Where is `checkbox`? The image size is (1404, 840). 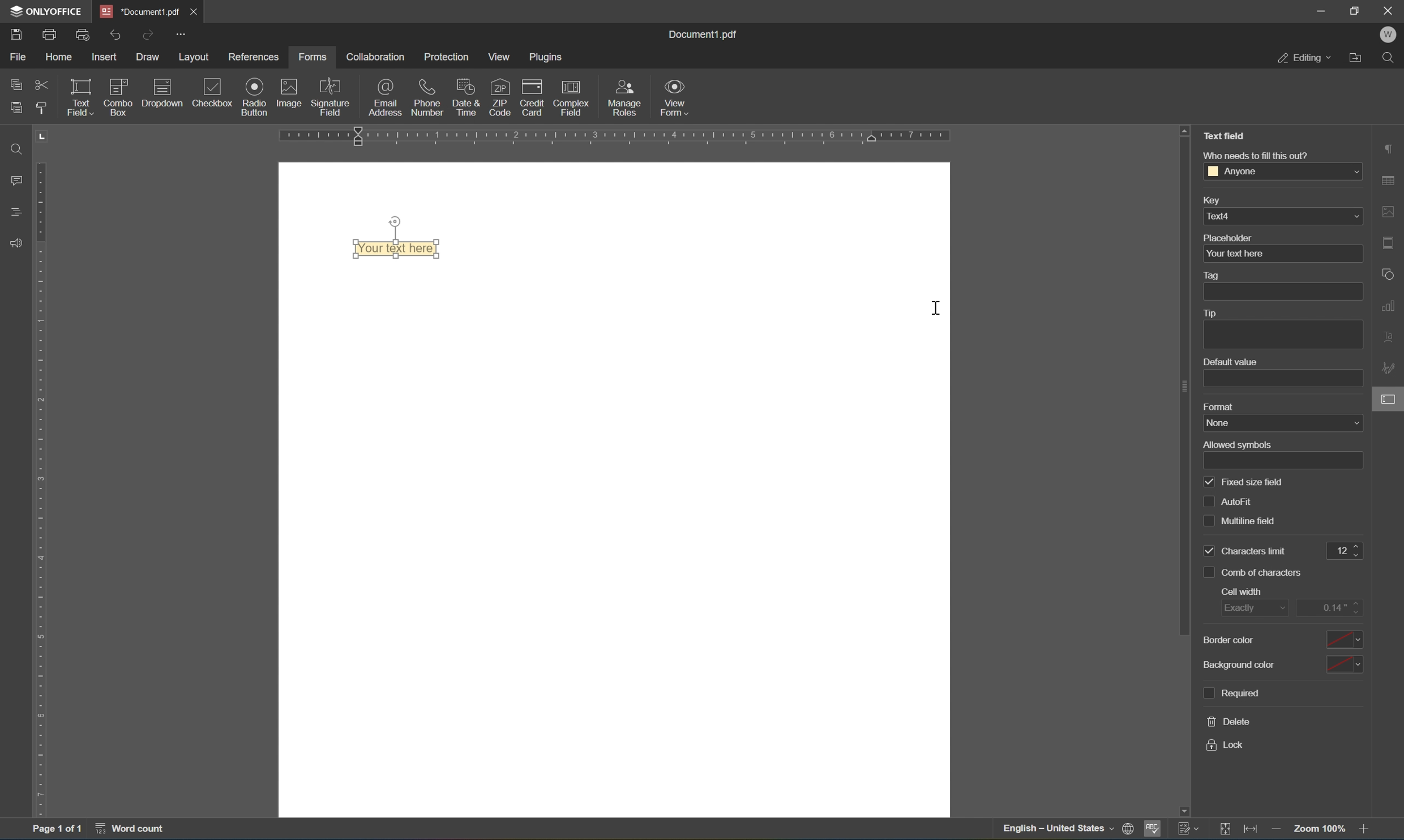
checkbox is located at coordinates (1208, 521).